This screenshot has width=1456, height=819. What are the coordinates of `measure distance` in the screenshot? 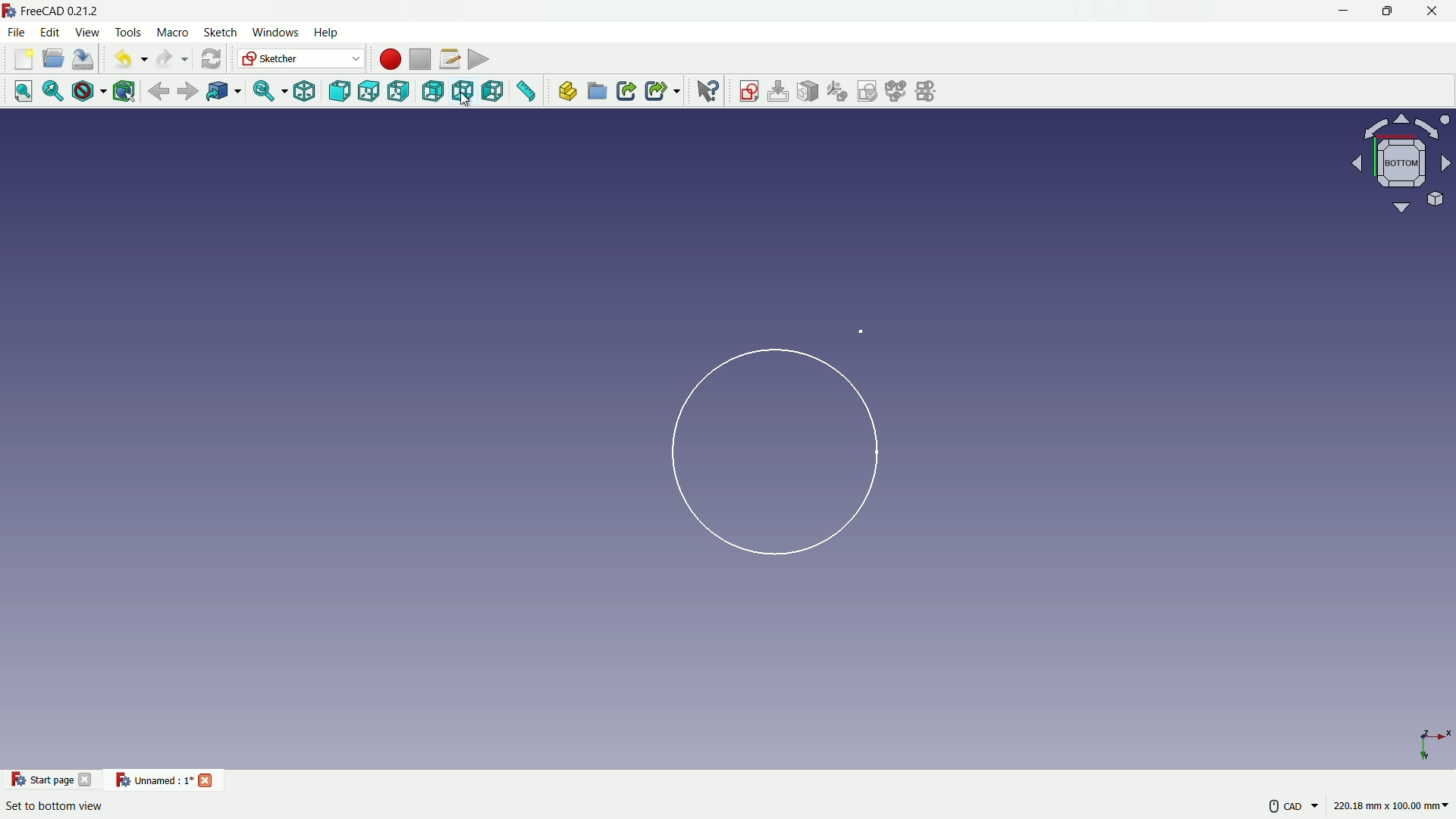 It's located at (529, 93).